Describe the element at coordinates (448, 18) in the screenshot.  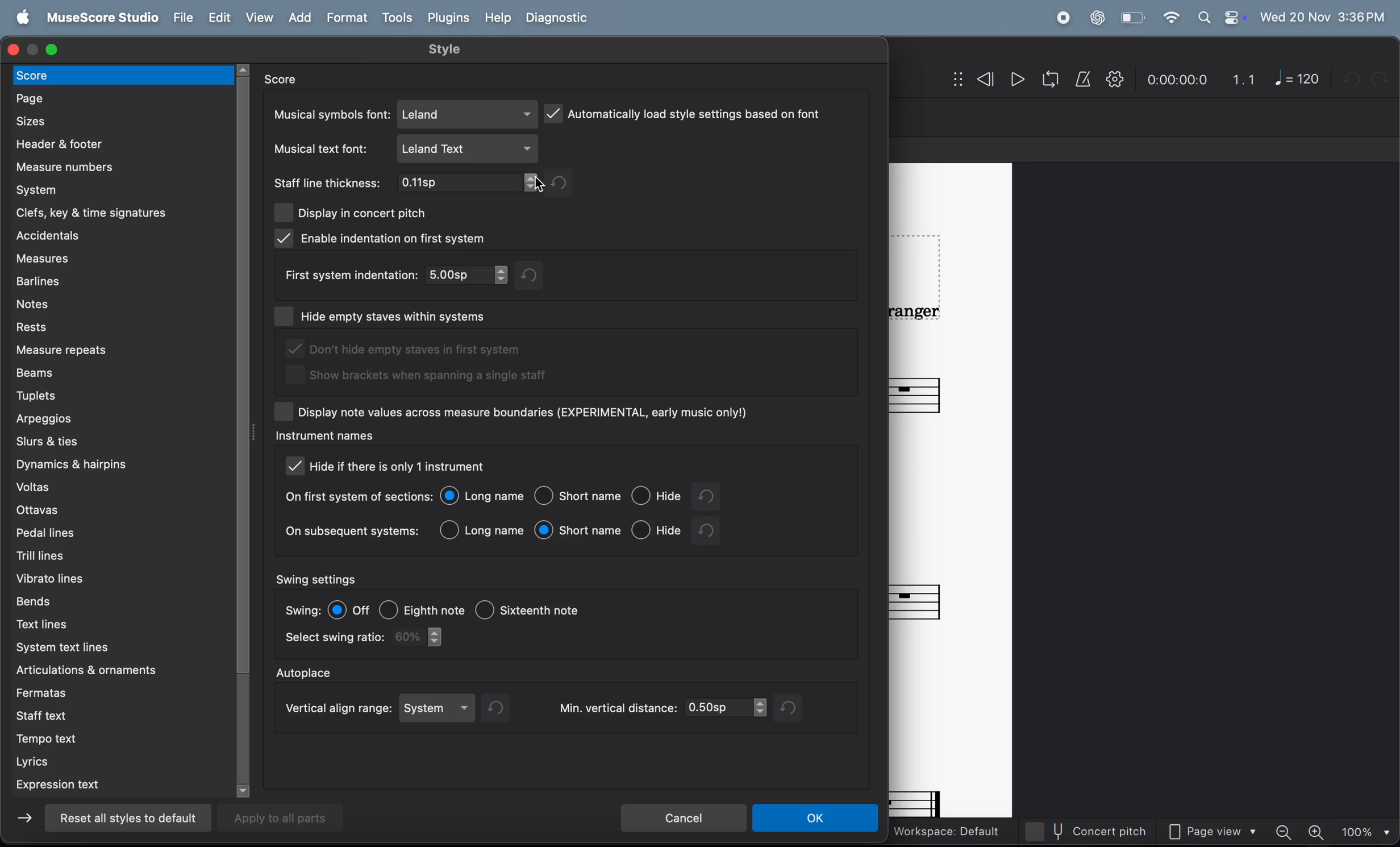
I see `plugins` at that location.